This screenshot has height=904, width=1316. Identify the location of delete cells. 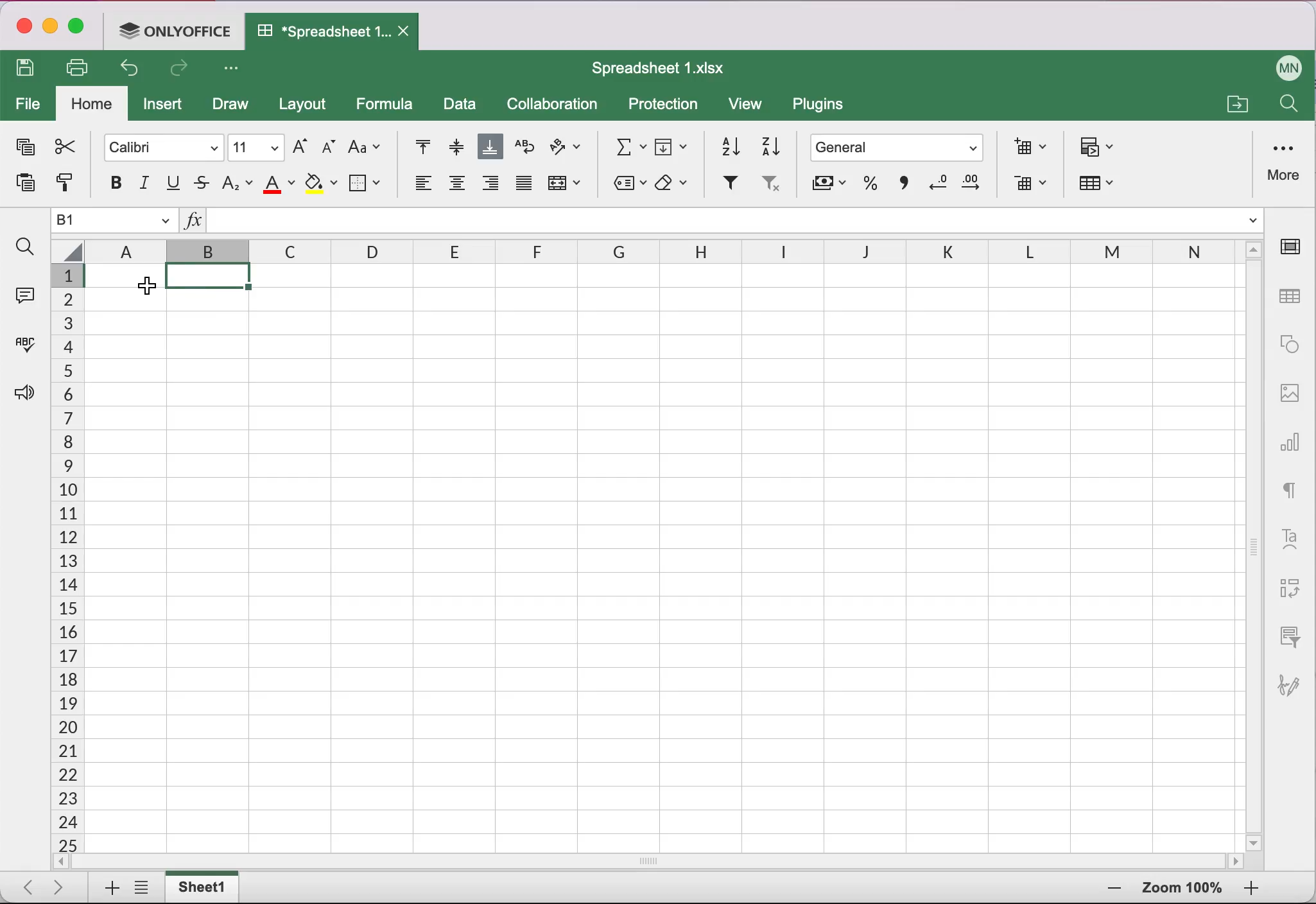
(1030, 185).